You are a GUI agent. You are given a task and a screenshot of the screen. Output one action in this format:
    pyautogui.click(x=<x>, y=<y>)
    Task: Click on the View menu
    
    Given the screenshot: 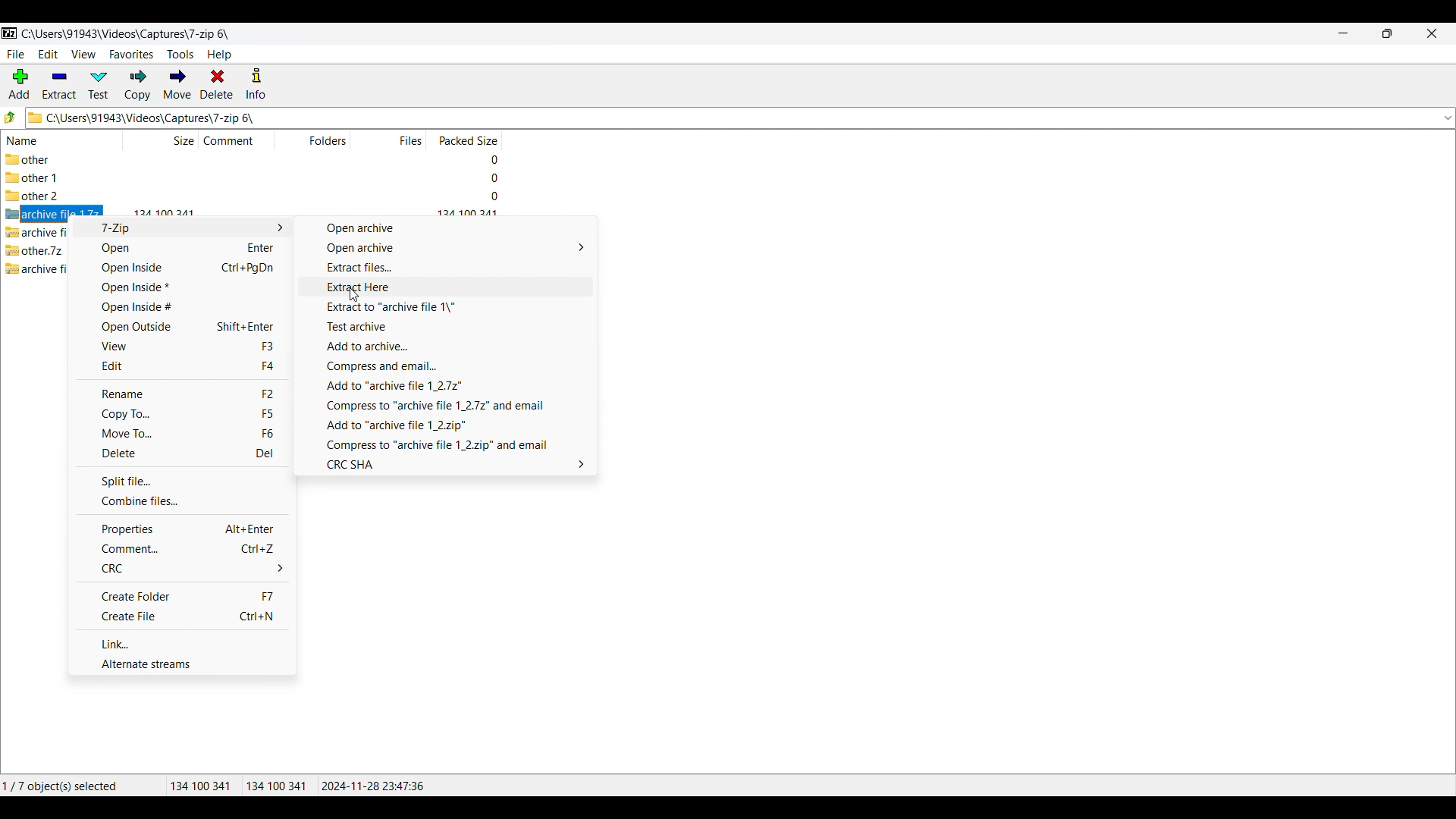 What is the action you would take?
    pyautogui.click(x=84, y=55)
    